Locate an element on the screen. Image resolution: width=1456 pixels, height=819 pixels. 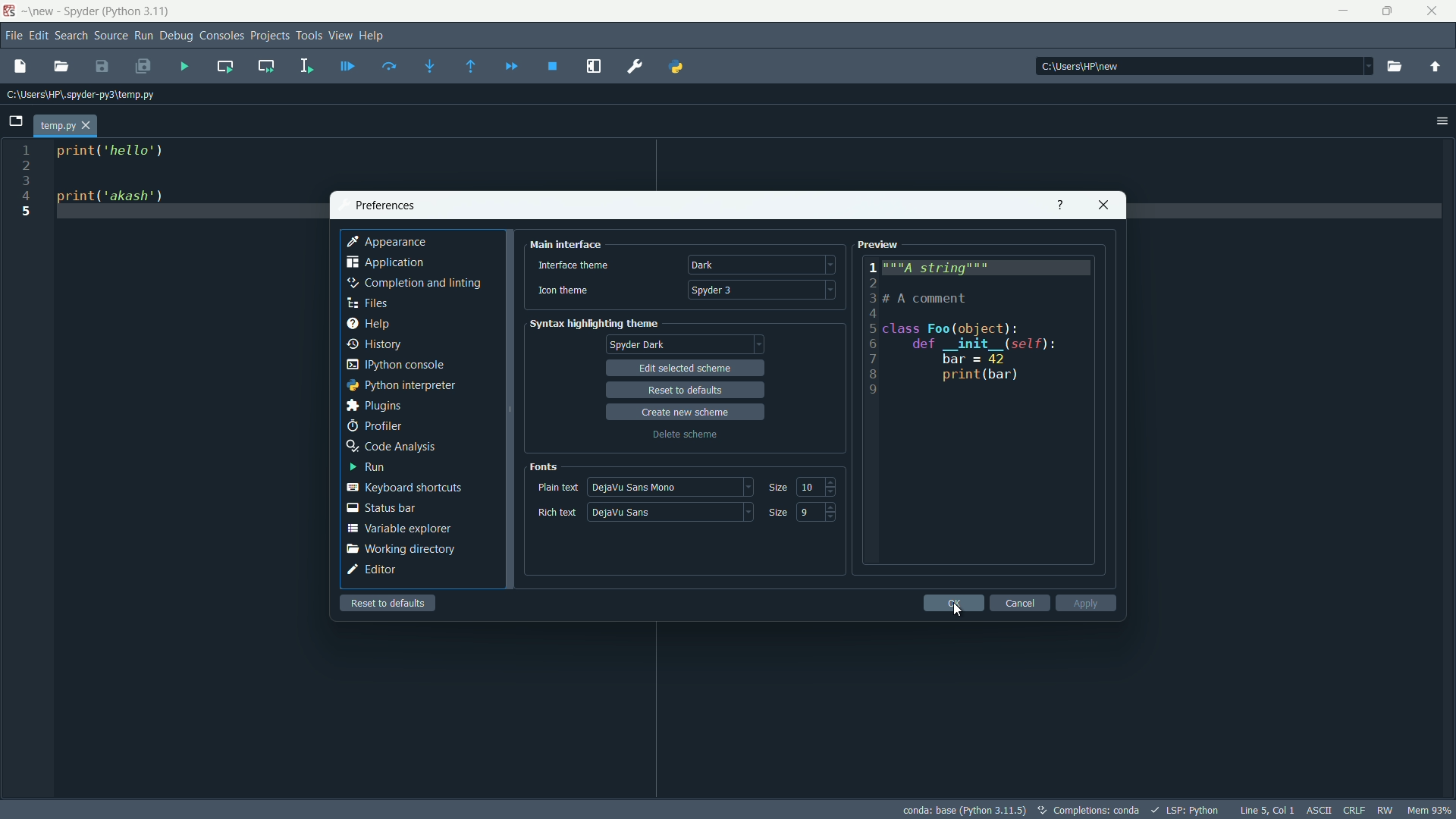
maximize current pane is located at coordinates (593, 66).